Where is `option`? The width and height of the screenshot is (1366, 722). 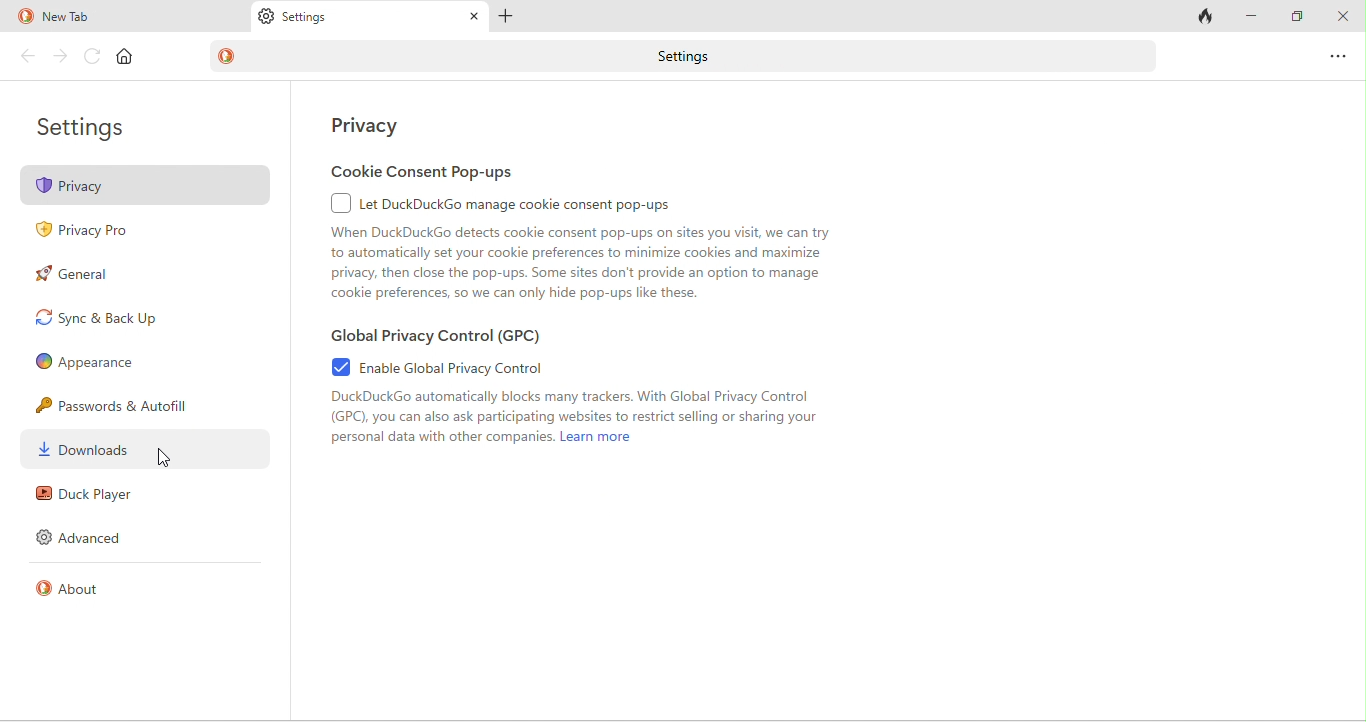
option is located at coordinates (1339, 62).